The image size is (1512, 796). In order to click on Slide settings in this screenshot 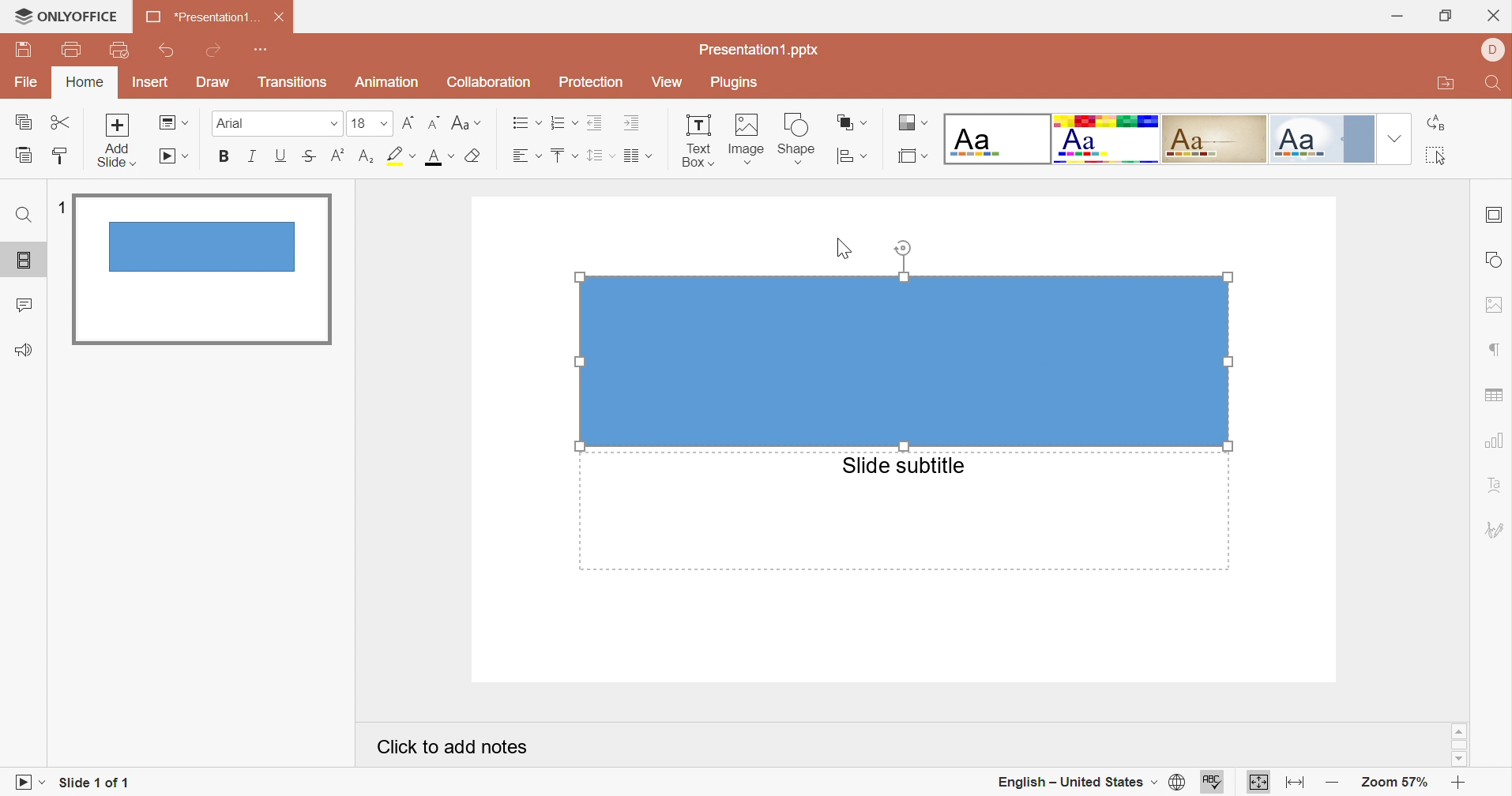, I will do `click(1495, 212)`.